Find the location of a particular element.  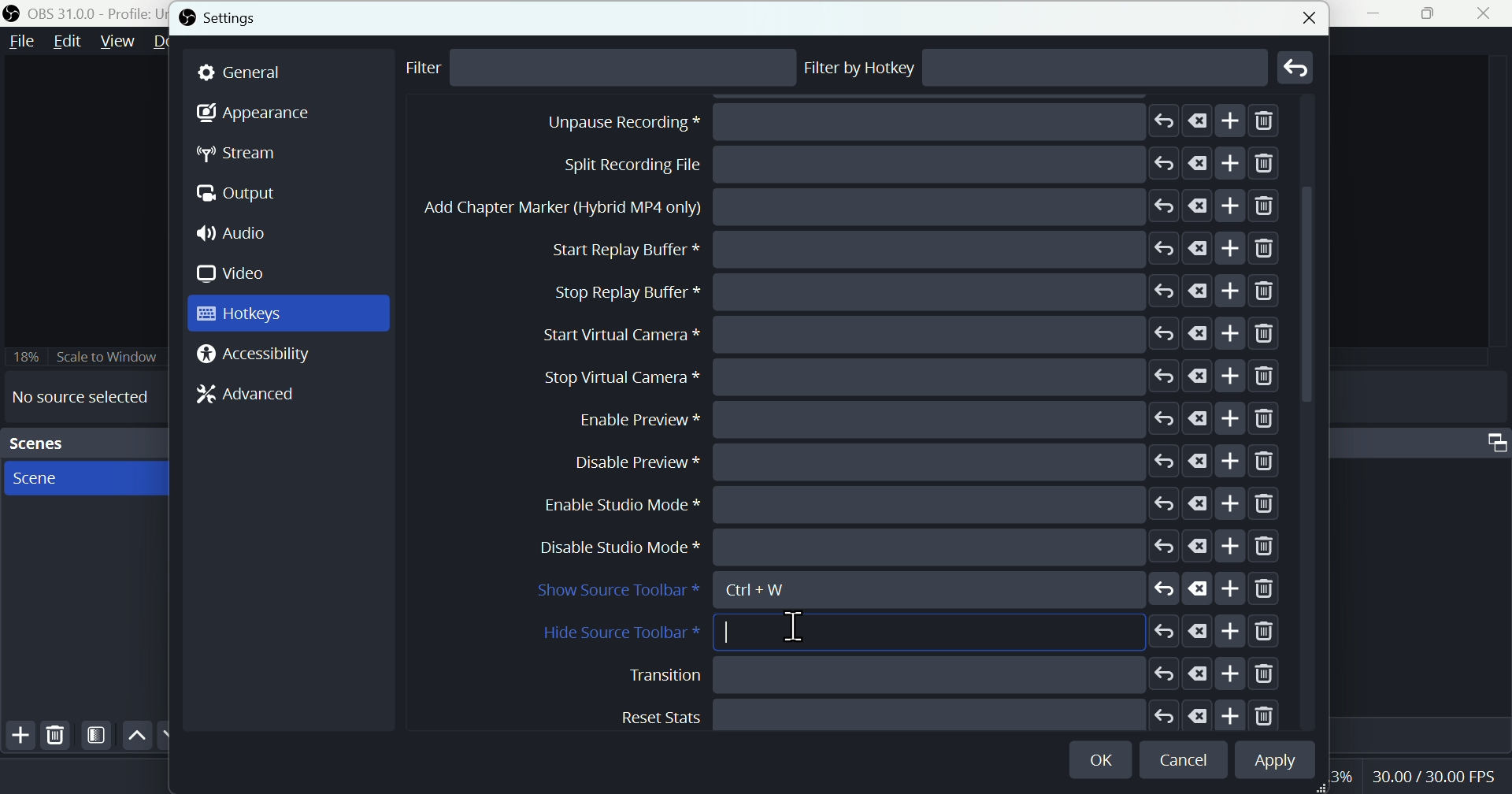

close is located at coordinates (1306, 15).